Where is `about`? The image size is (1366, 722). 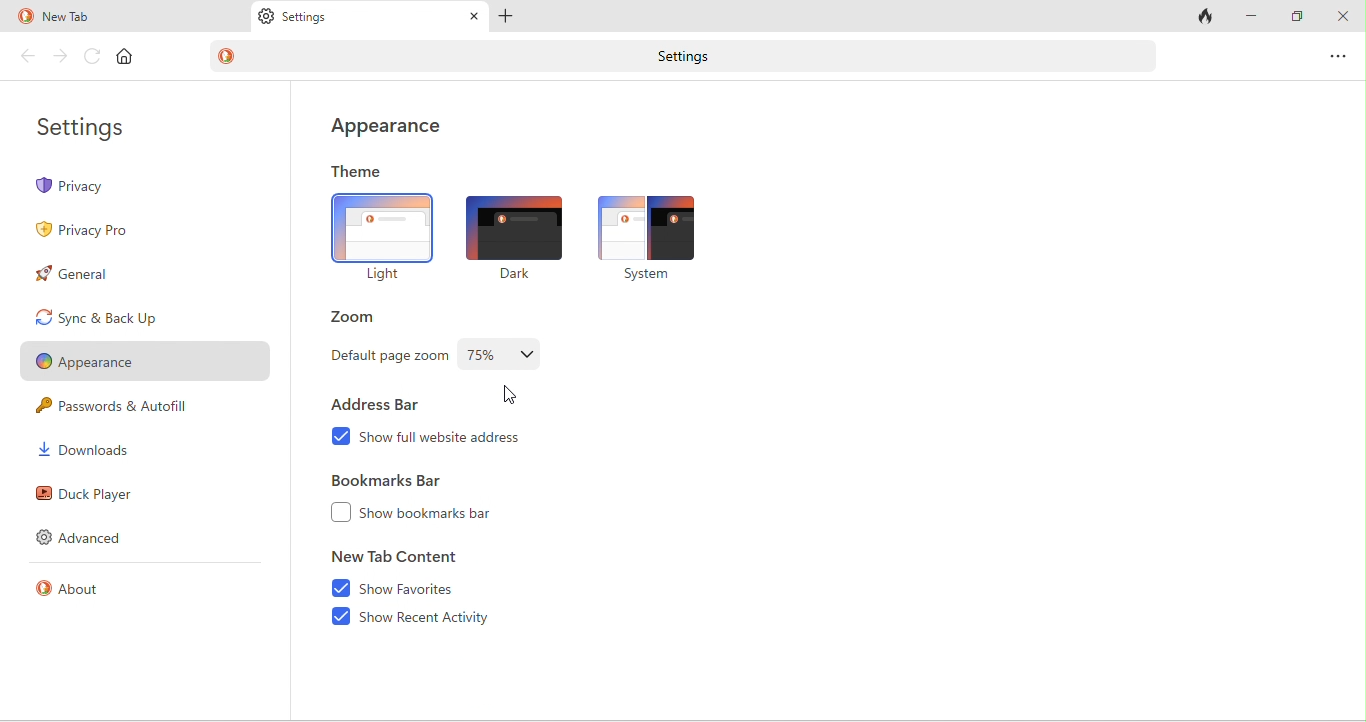 about is located at coordinates (80, 592).